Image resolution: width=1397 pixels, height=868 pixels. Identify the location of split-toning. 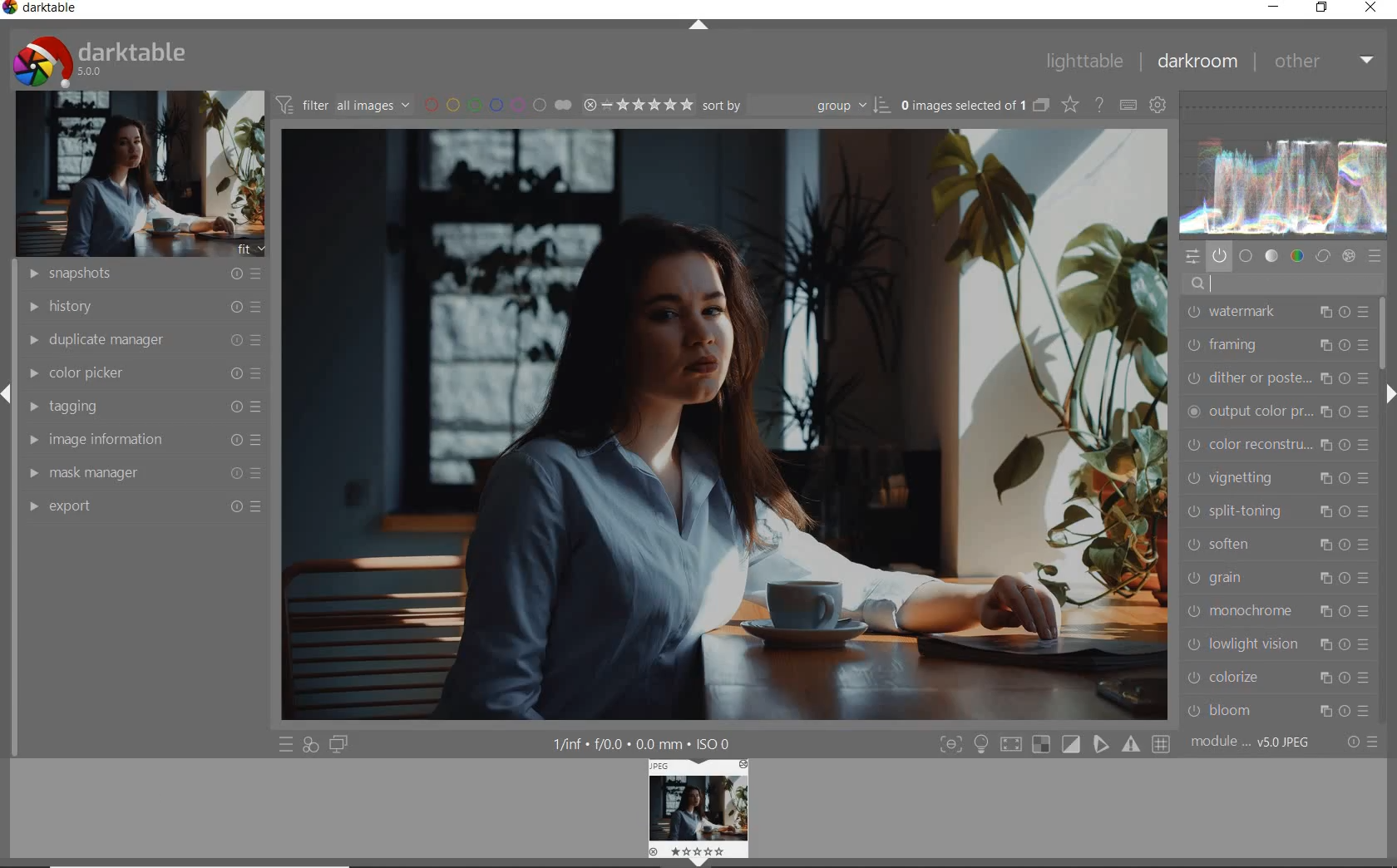
(1277, 510).